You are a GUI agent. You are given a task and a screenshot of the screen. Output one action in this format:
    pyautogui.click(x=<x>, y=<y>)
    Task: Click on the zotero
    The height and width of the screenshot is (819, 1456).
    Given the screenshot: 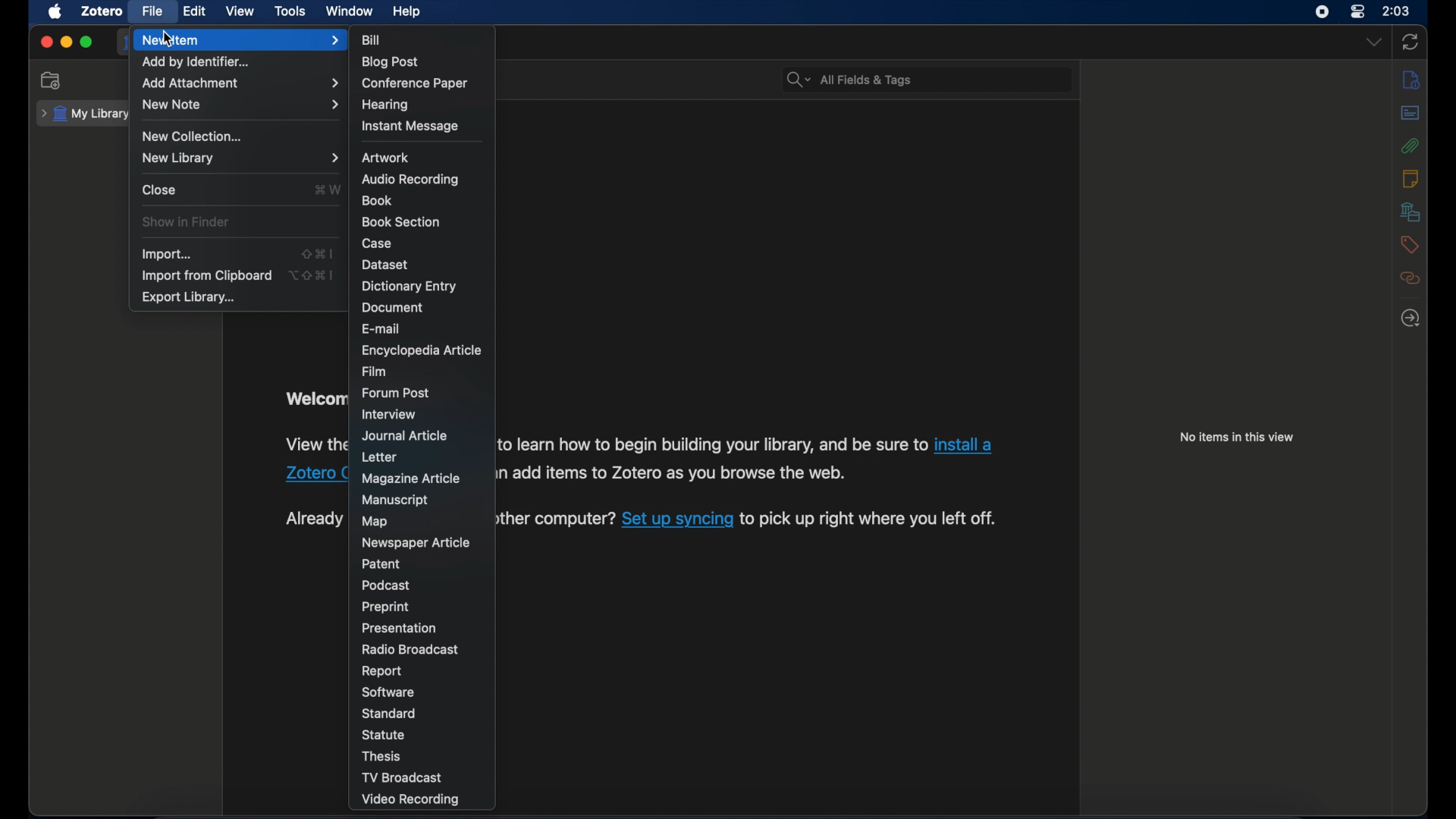 What is the action you would take?
    pyautogui.click(x=102, y=11)
    